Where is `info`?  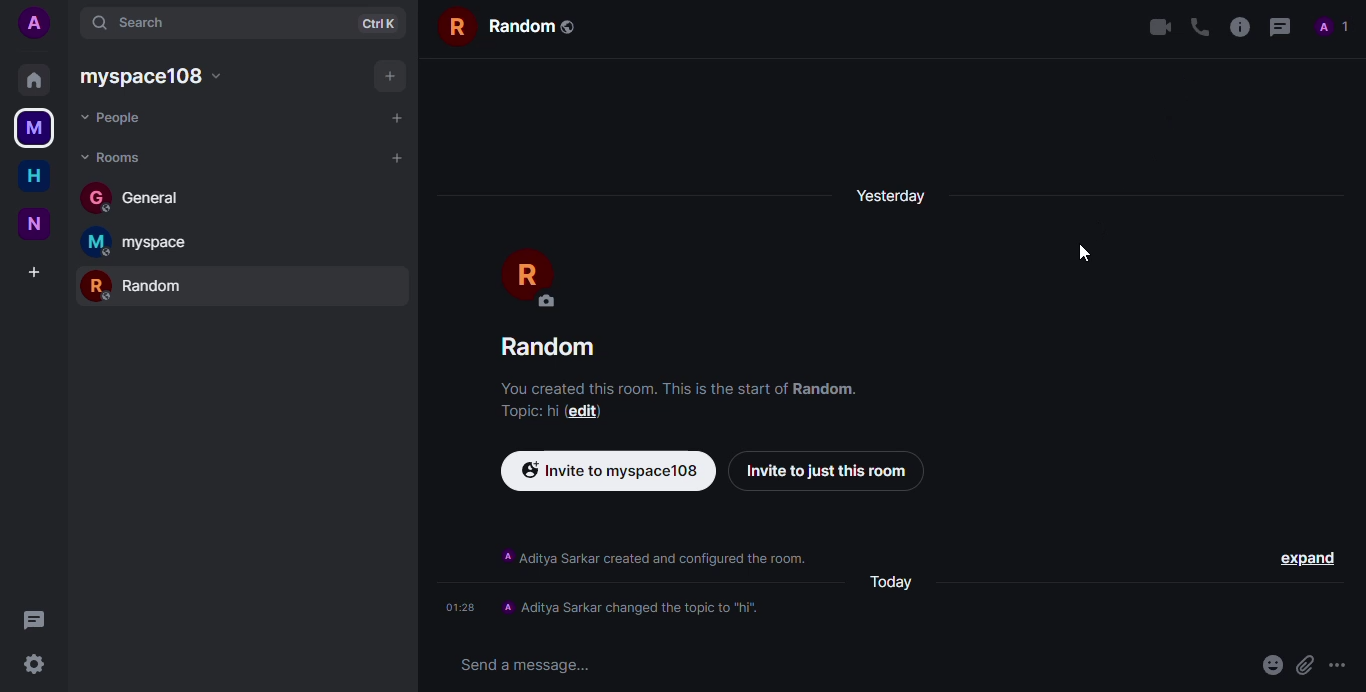
info is located at coordinates (1240, 27).